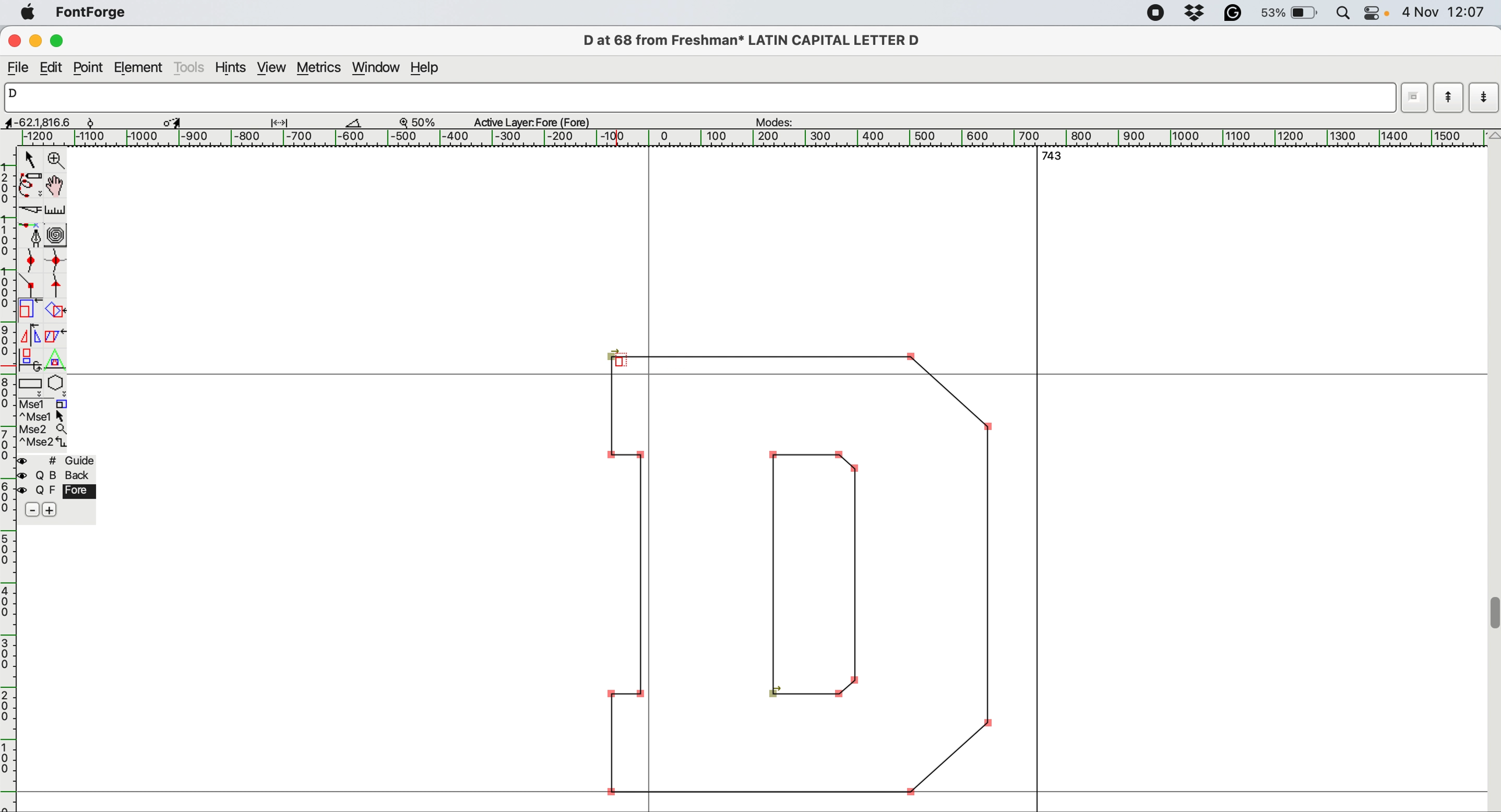 This screenshot has height=812, width=1501. Describe the element at coordinates (31, 336) in the screenshot. I see `flip the selection` at that location.